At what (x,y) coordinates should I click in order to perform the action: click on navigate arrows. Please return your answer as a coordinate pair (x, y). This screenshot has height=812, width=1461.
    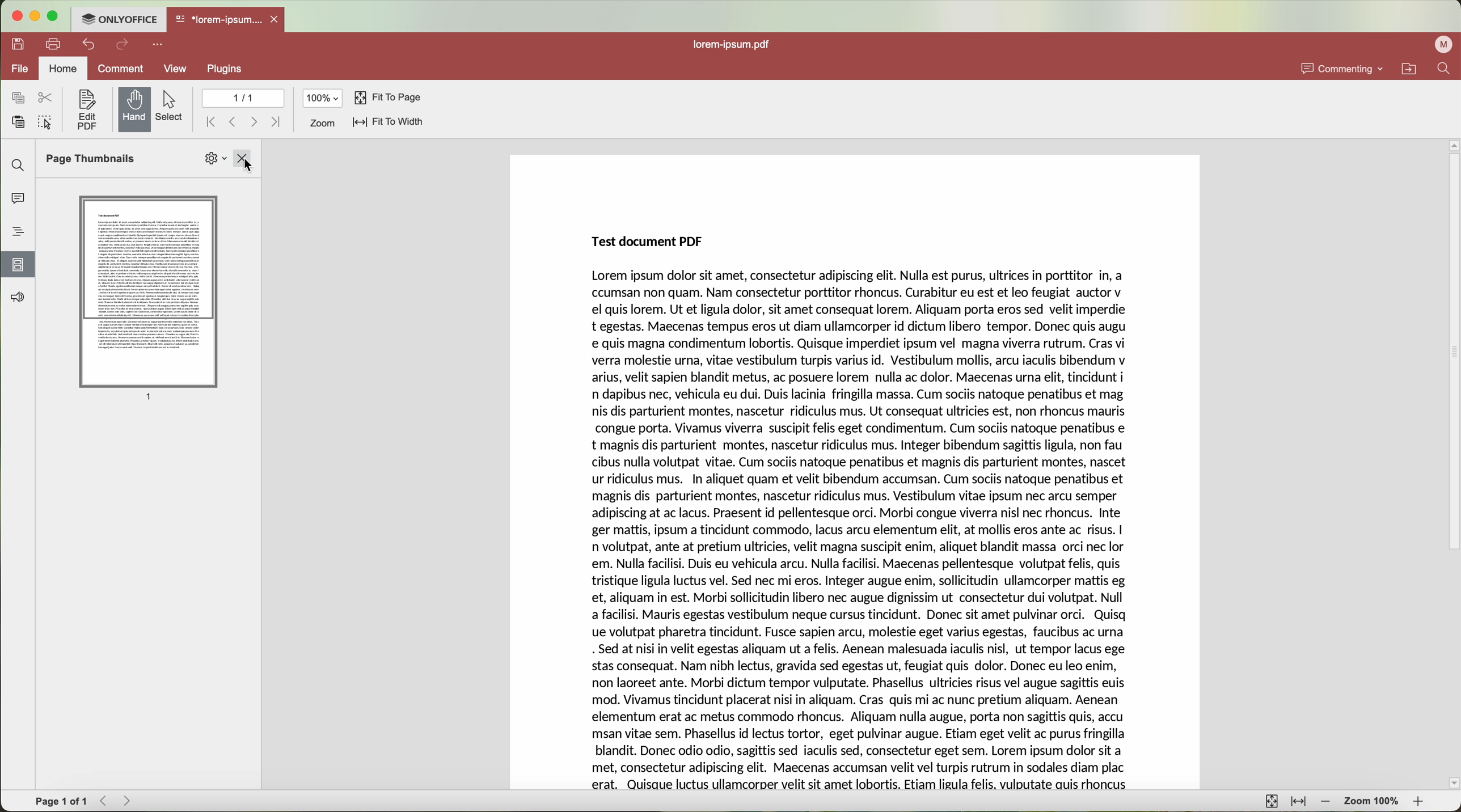
    Looking at the image, I should click on (244, 122).